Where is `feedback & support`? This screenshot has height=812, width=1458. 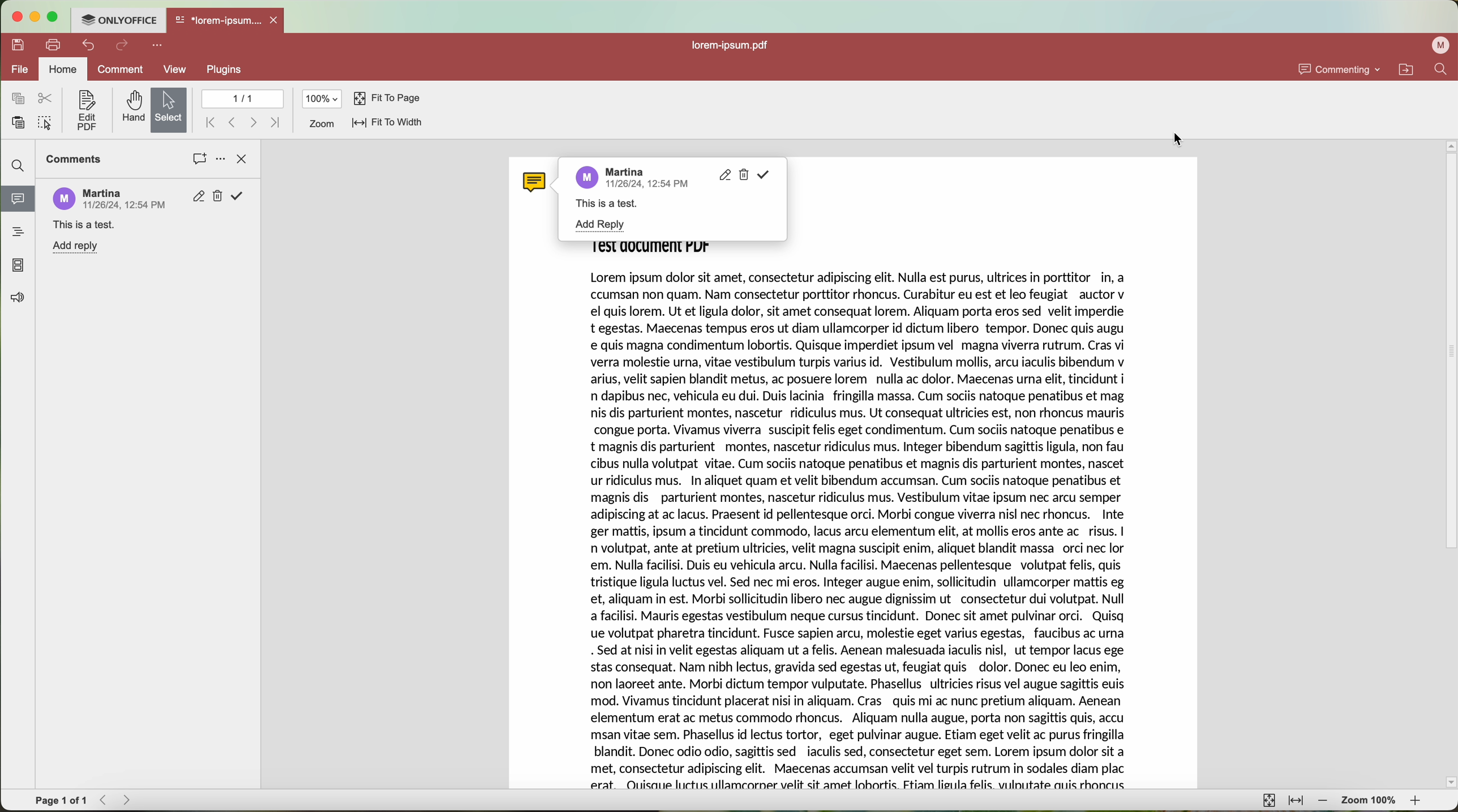 feedback & support is located at coordinates (18, 299).